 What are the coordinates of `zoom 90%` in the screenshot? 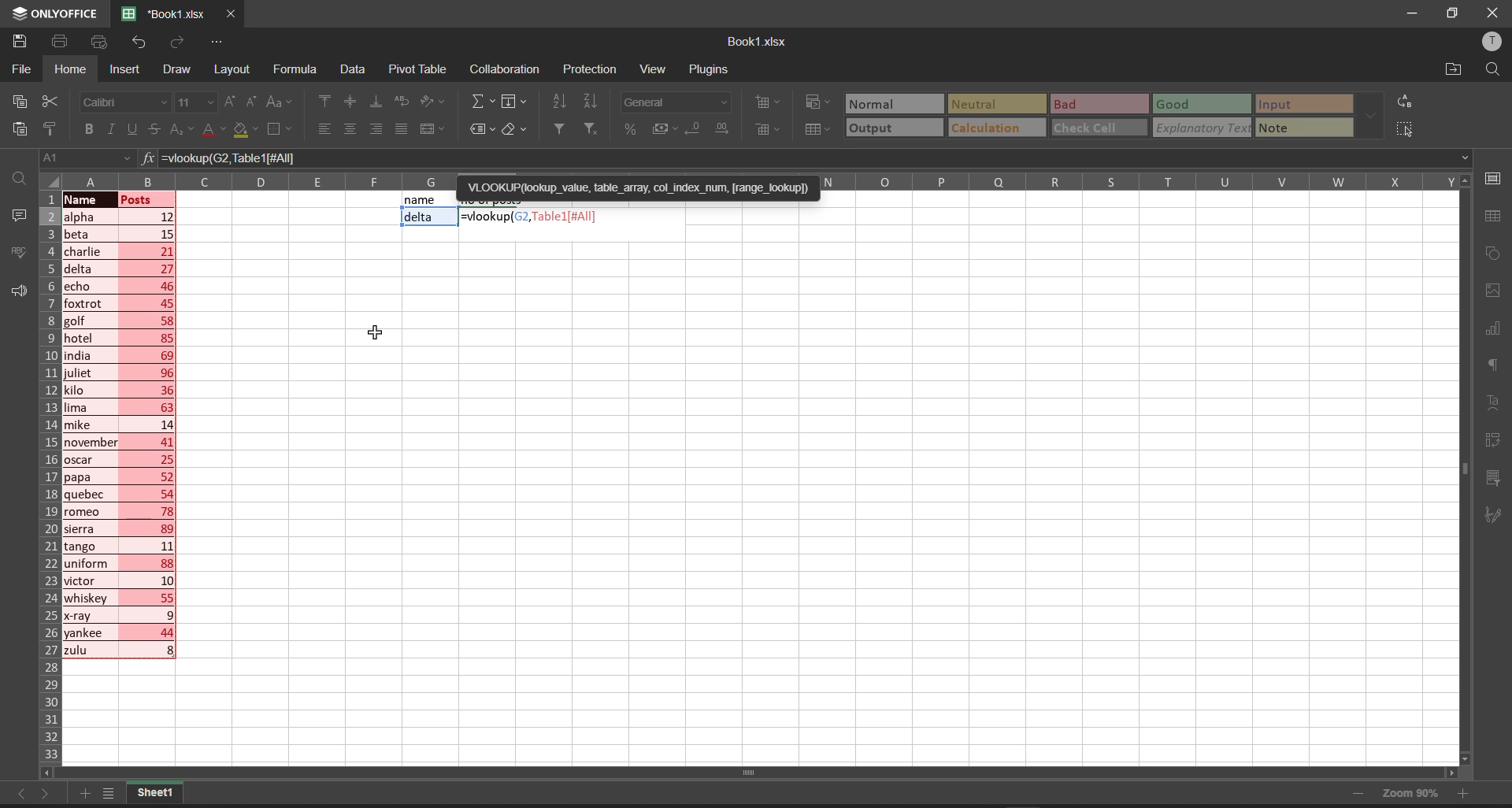 It's located at (1409, 793).